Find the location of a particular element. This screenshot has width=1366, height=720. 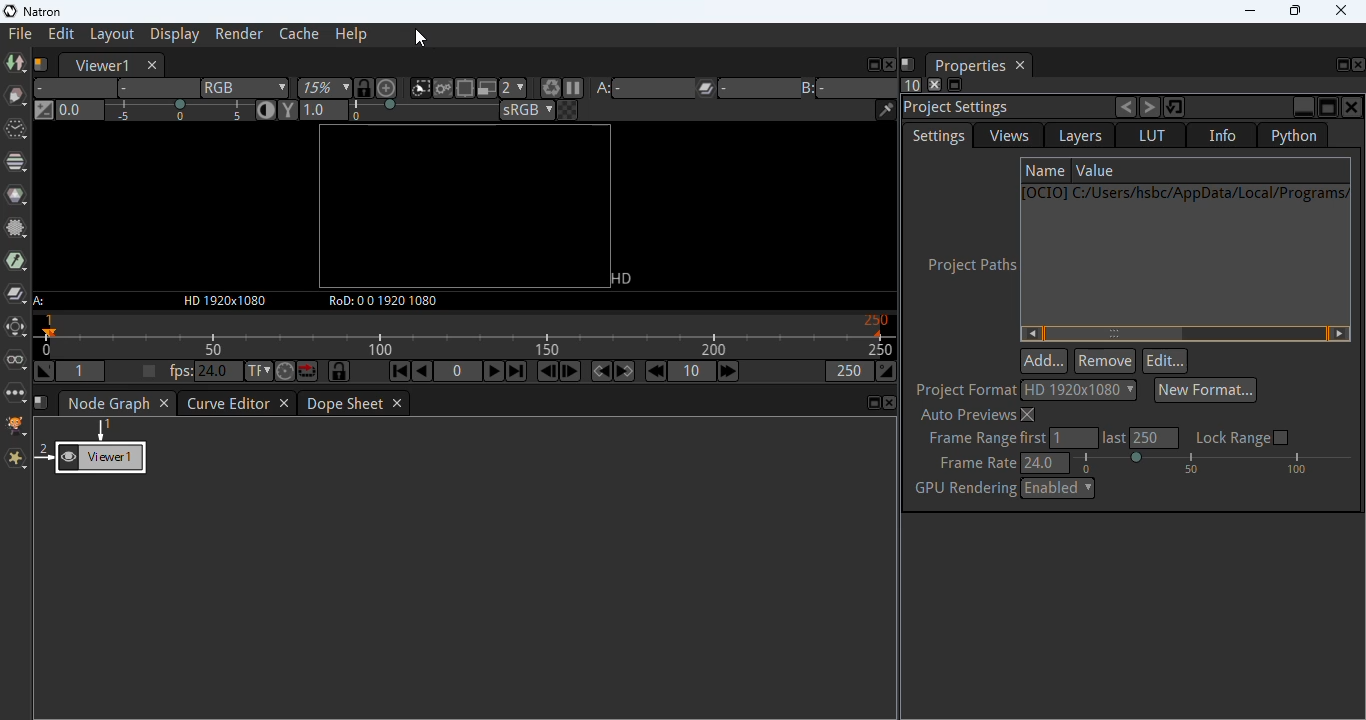

viewer1 is located at coordinates (102, 458).